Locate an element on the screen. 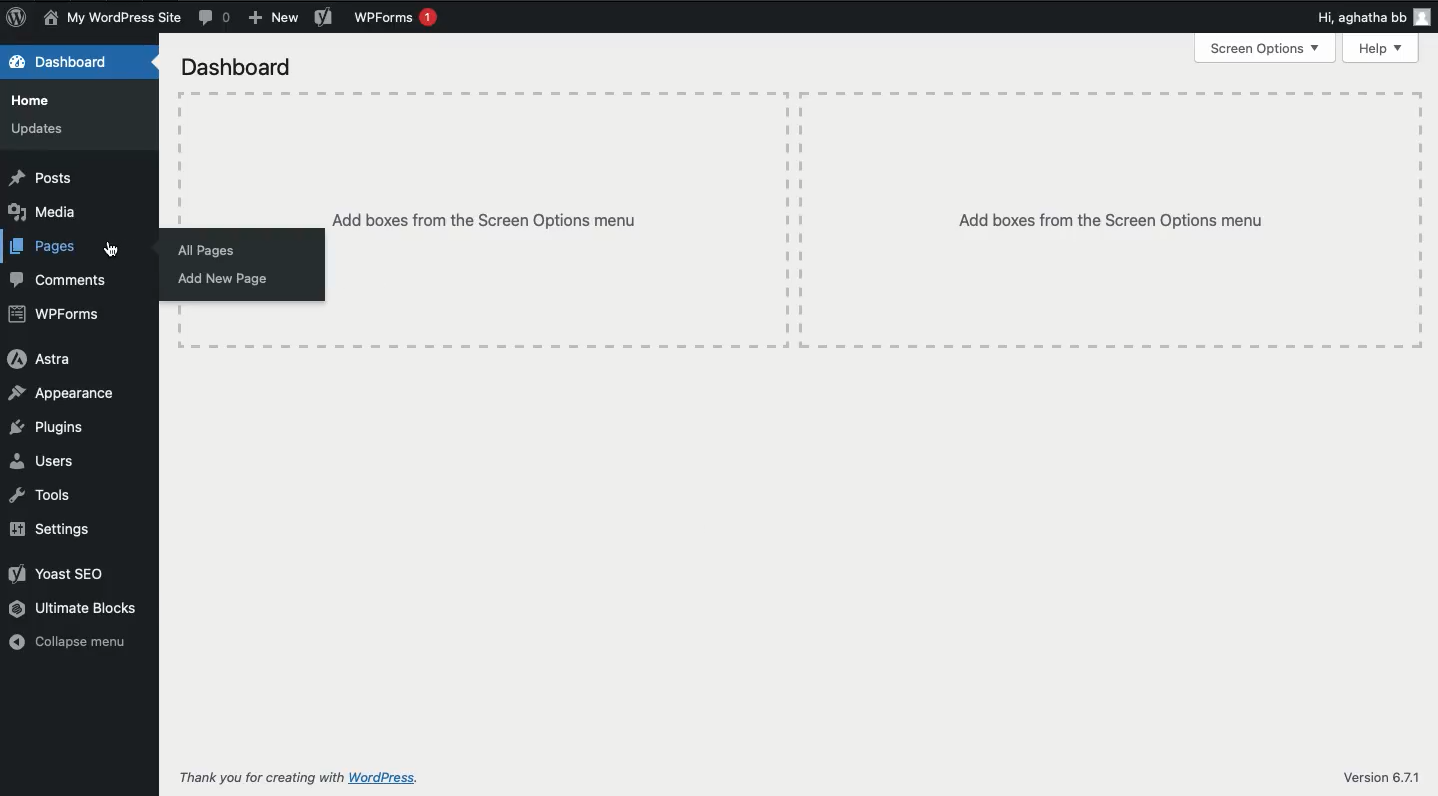 This screenshot has height=796, width=1438. Comments is located at coordinates (63, 280).